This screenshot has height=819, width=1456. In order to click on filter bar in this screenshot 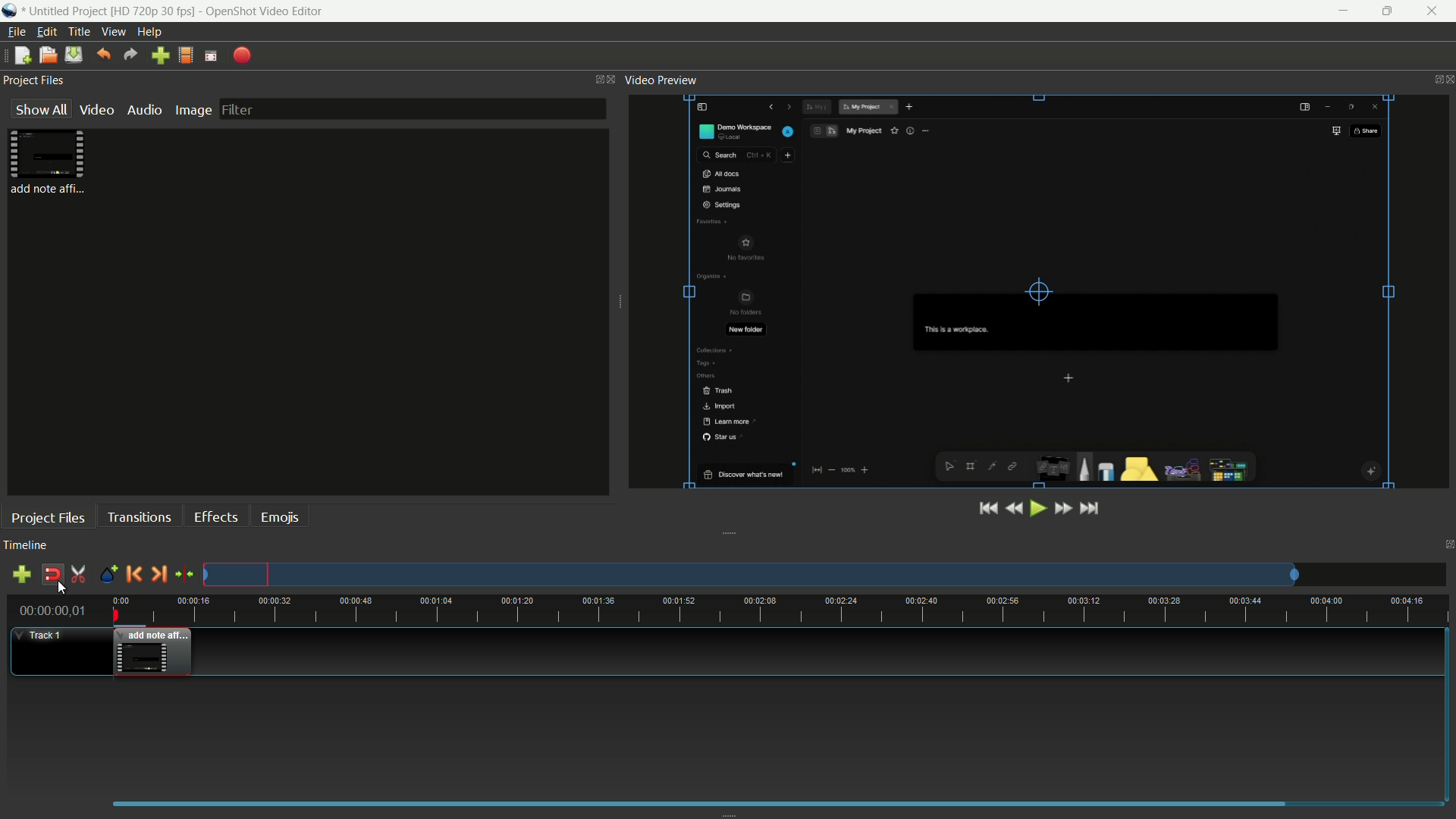, I will do `click(411, 109)`.